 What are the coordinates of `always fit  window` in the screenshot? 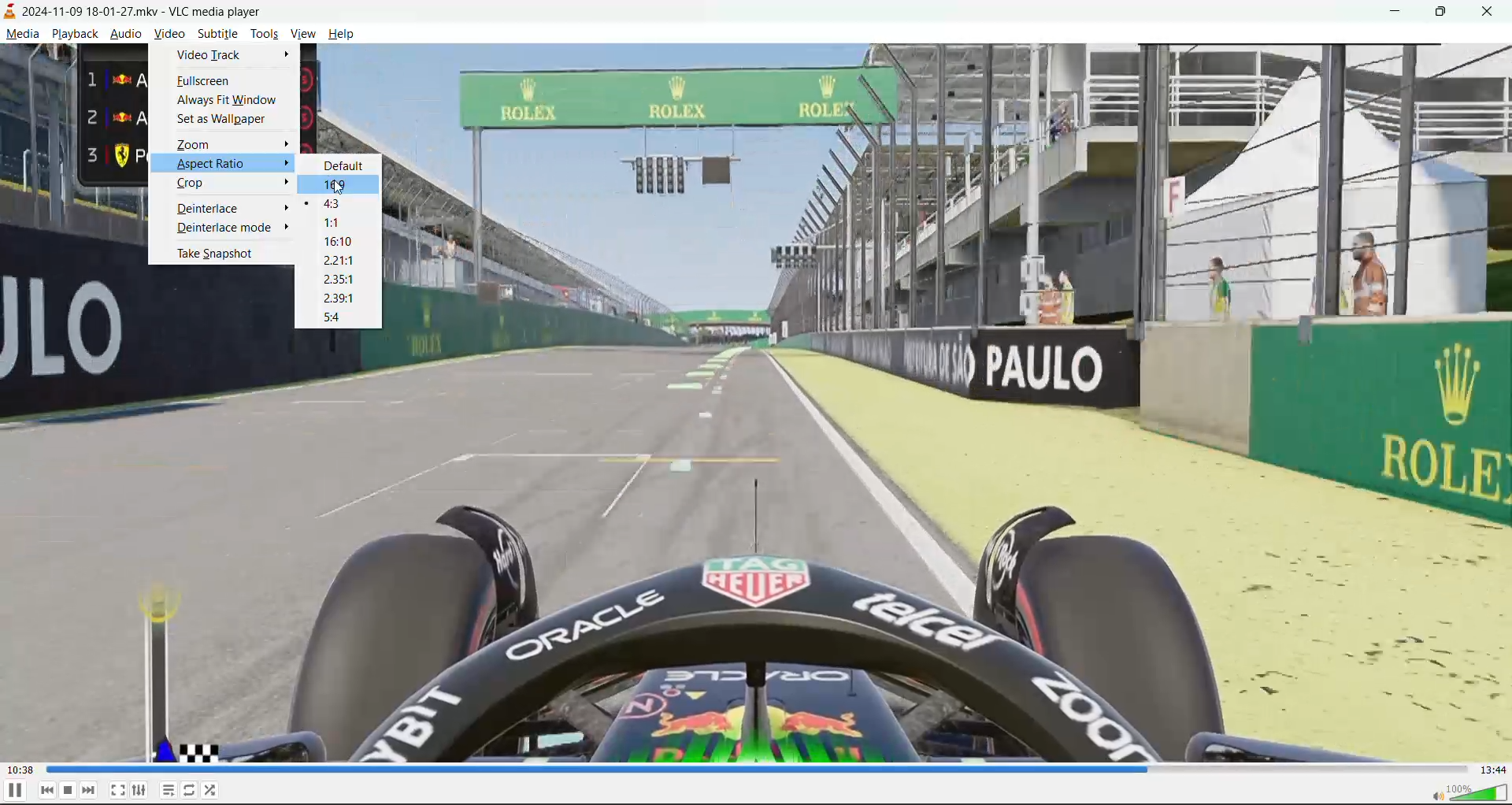 It's located at (232, 102).